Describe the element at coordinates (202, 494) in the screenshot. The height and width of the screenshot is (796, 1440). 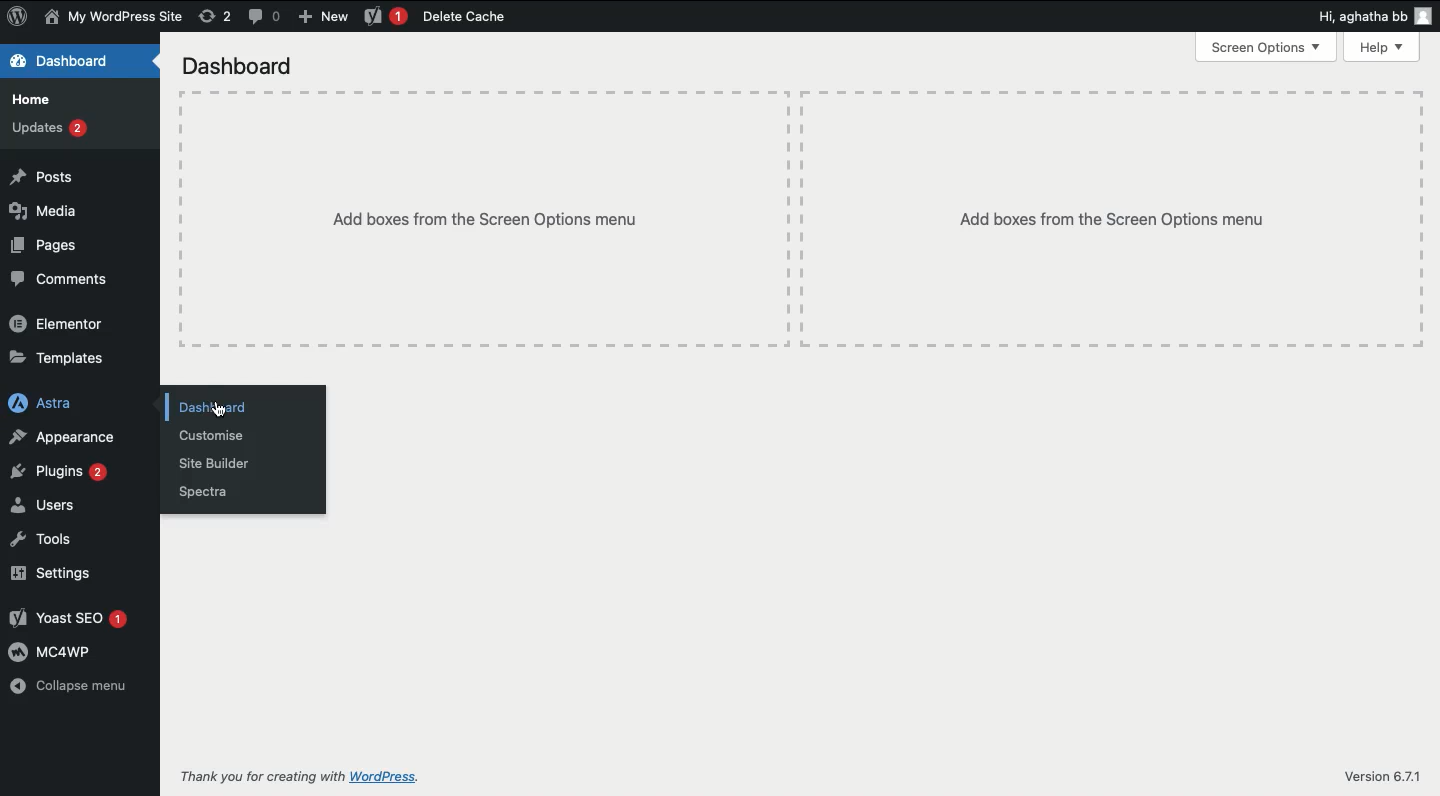
I see `Spectra` at that location.